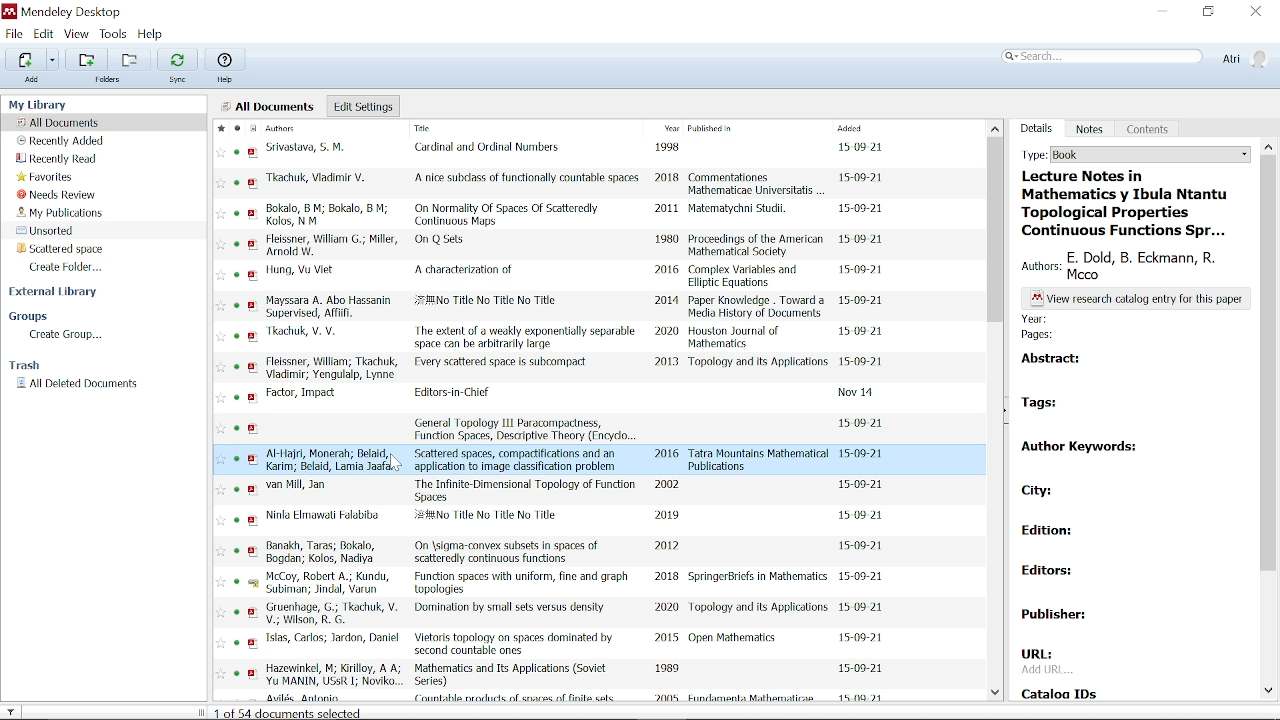  What do you see at coordinates (1036, 488) in the screenshot?
I see `city` at bounding box center [1036, 488].